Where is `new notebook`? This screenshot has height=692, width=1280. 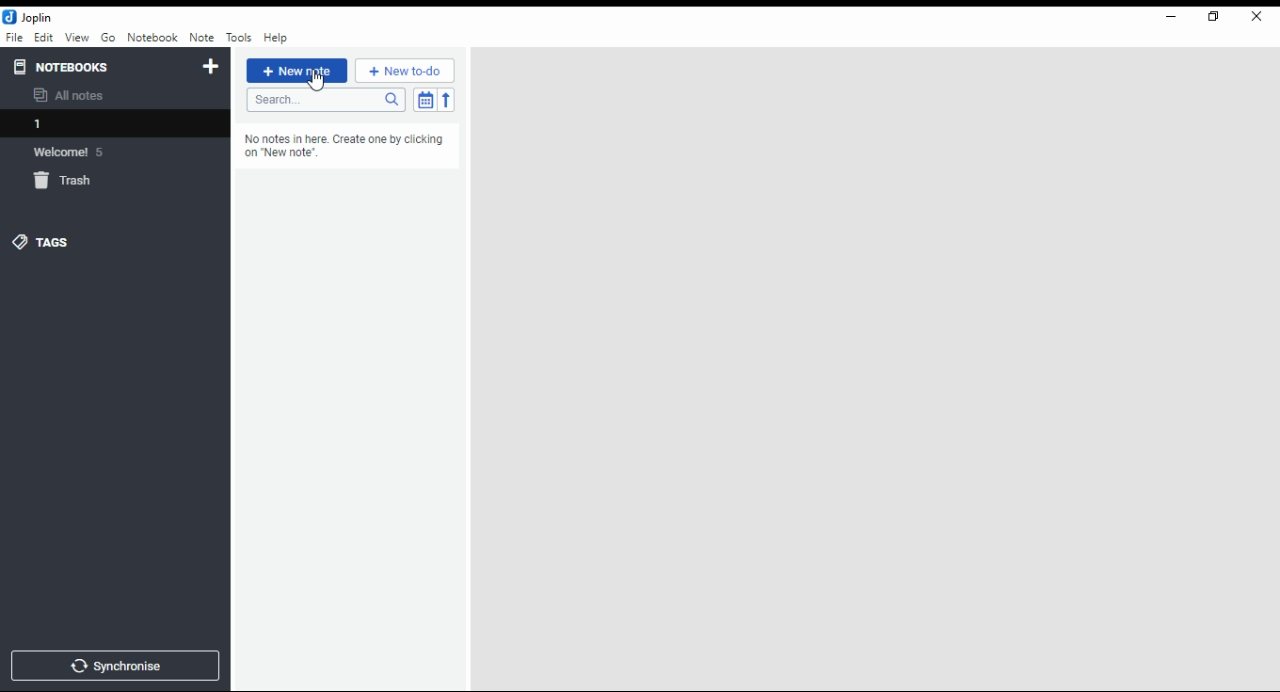 new notebook is located at coordinates (211, 67).